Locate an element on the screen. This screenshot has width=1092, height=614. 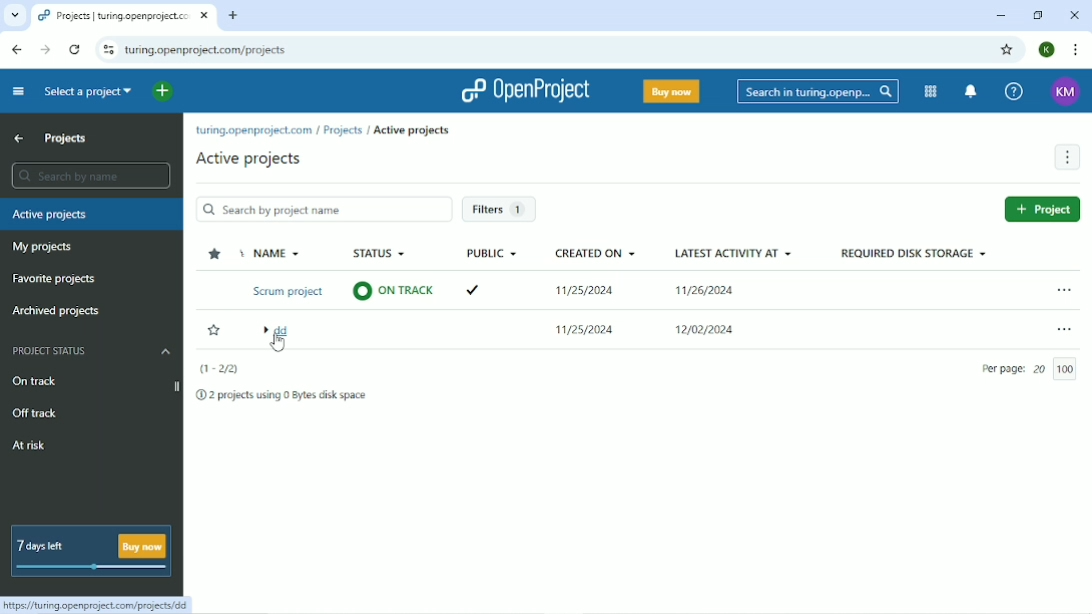
Buy now is located at coordinates (670, 91).